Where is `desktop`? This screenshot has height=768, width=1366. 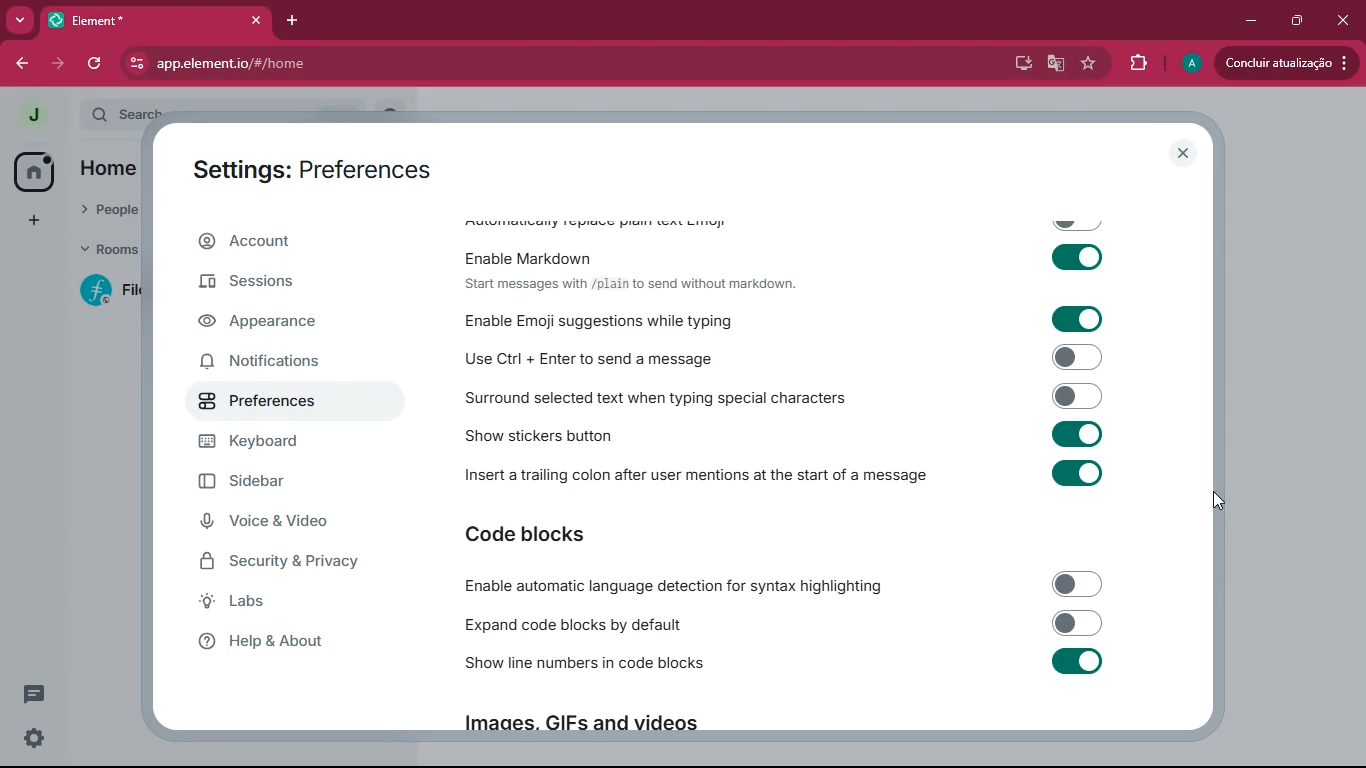
desktop is located at coordinates (1021, 64).